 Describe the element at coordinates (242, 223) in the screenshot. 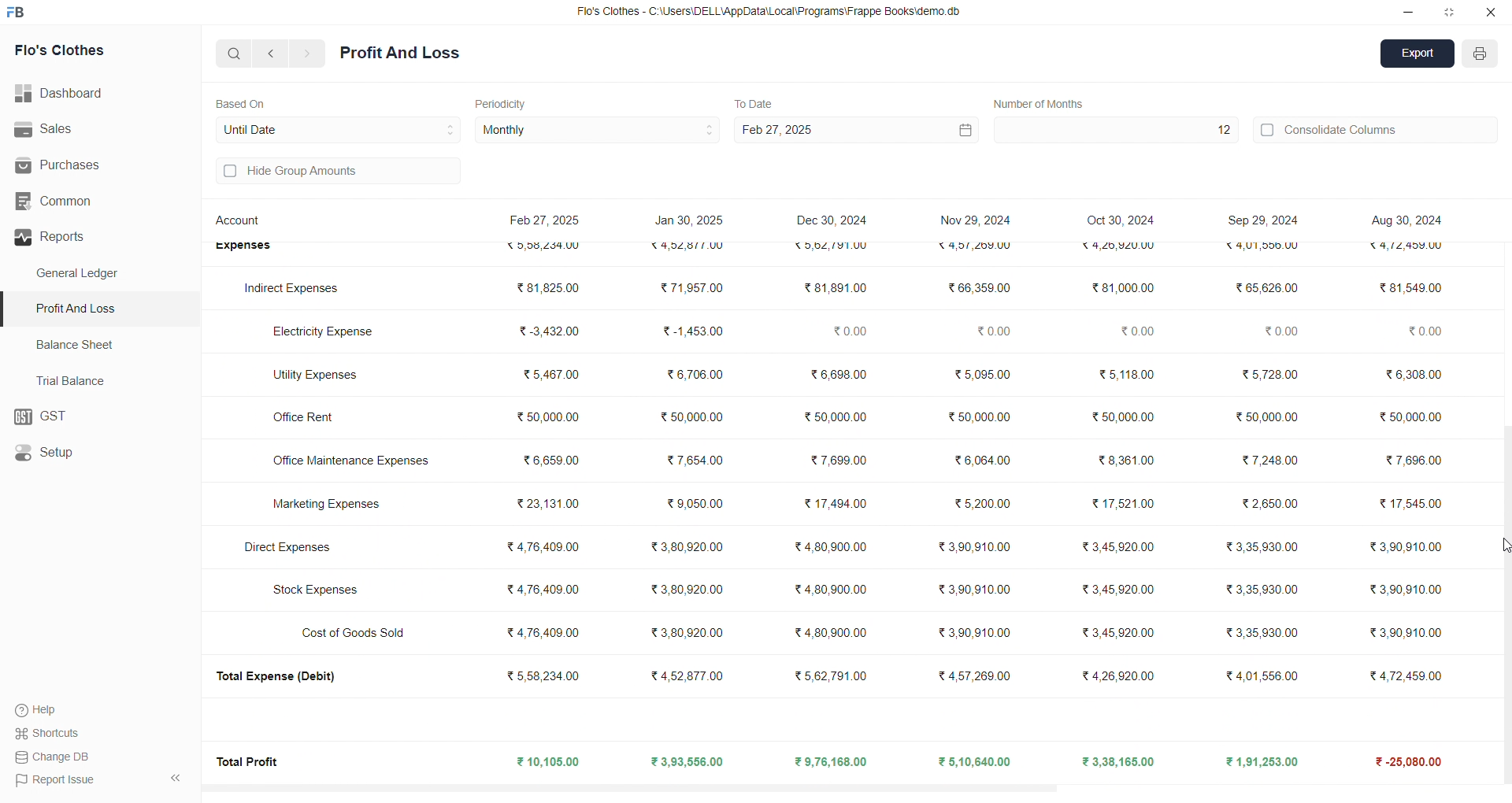

I see `Account` at that location.